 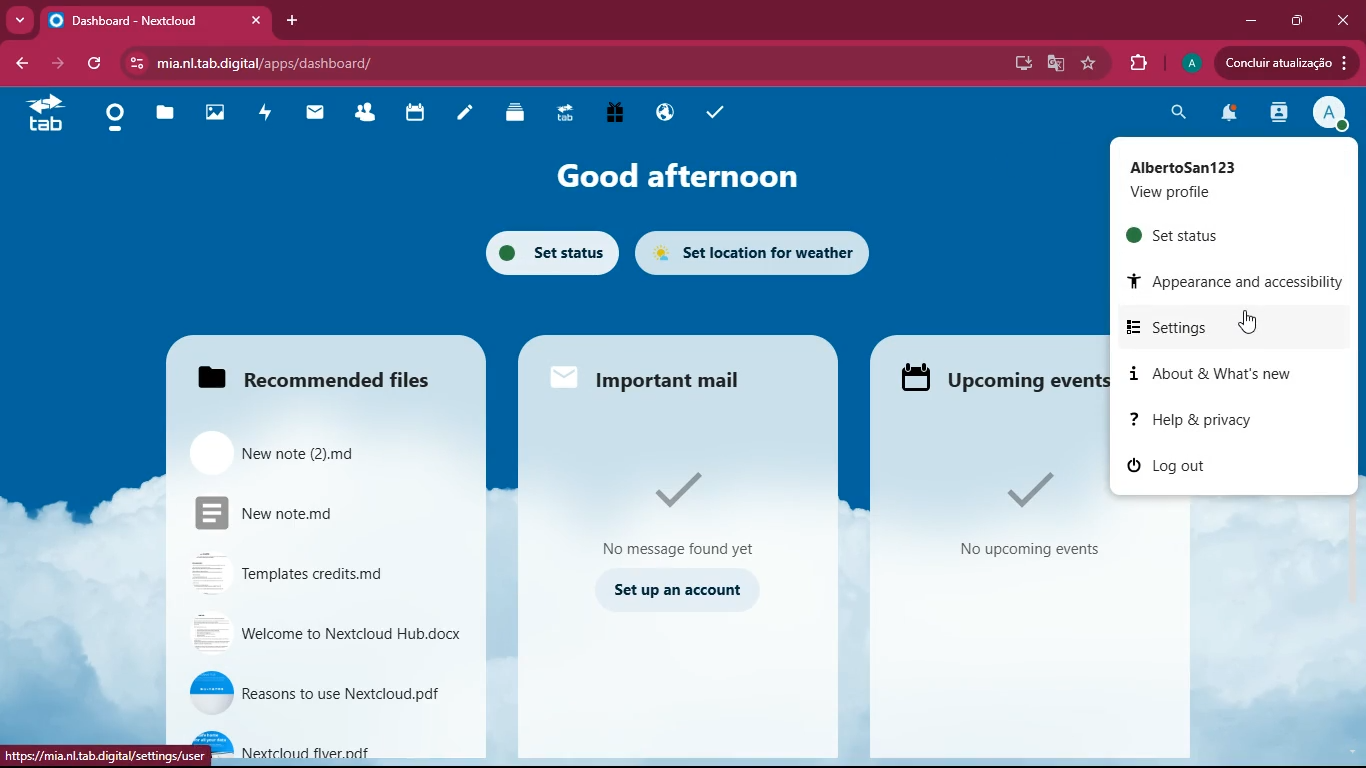 What do you see at coordinates (1296, 21) in the screenshot?
I see `maximize` at bounding box center [1296, 21].